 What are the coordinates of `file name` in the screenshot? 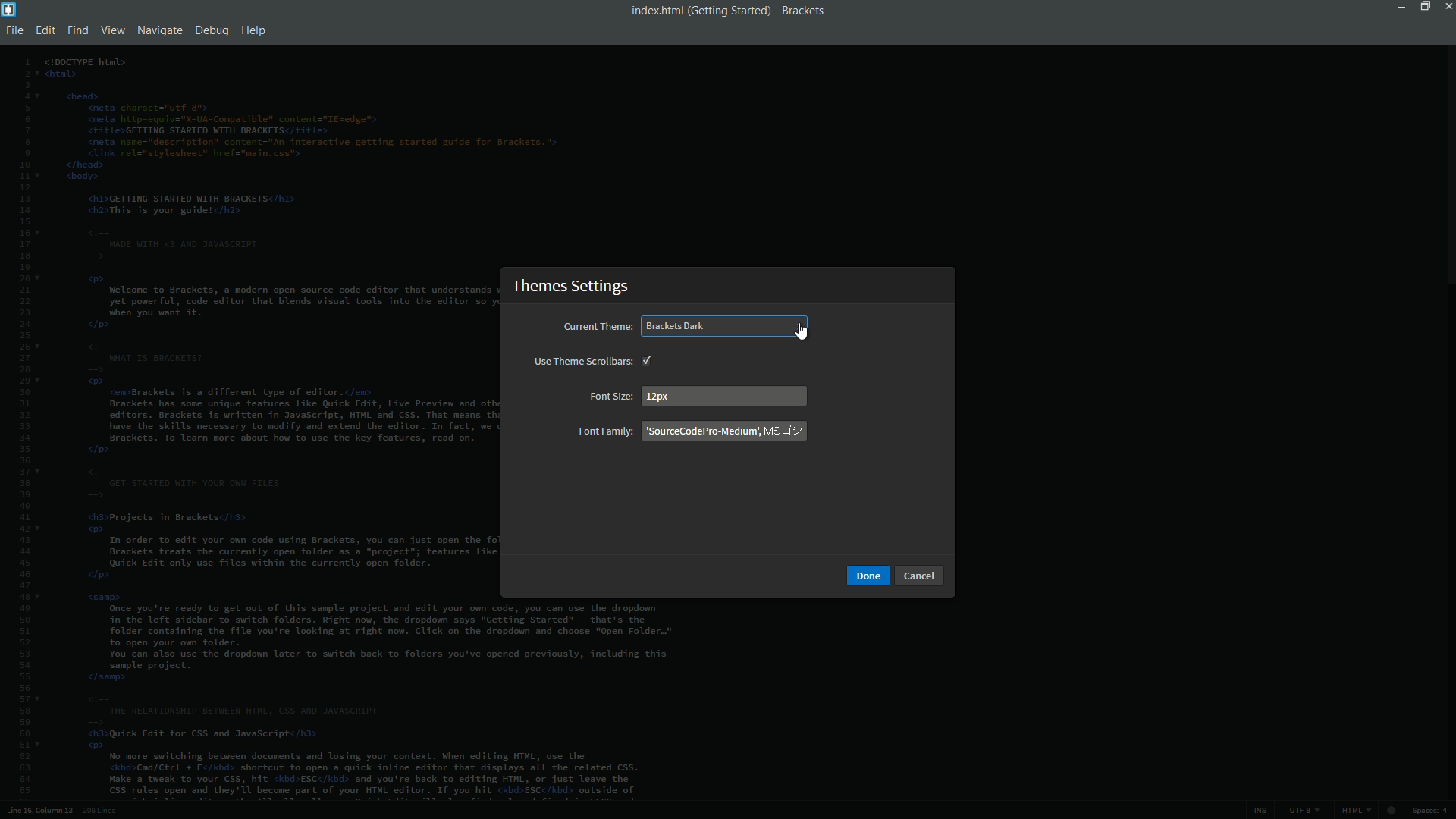 It's located at (654, 11).